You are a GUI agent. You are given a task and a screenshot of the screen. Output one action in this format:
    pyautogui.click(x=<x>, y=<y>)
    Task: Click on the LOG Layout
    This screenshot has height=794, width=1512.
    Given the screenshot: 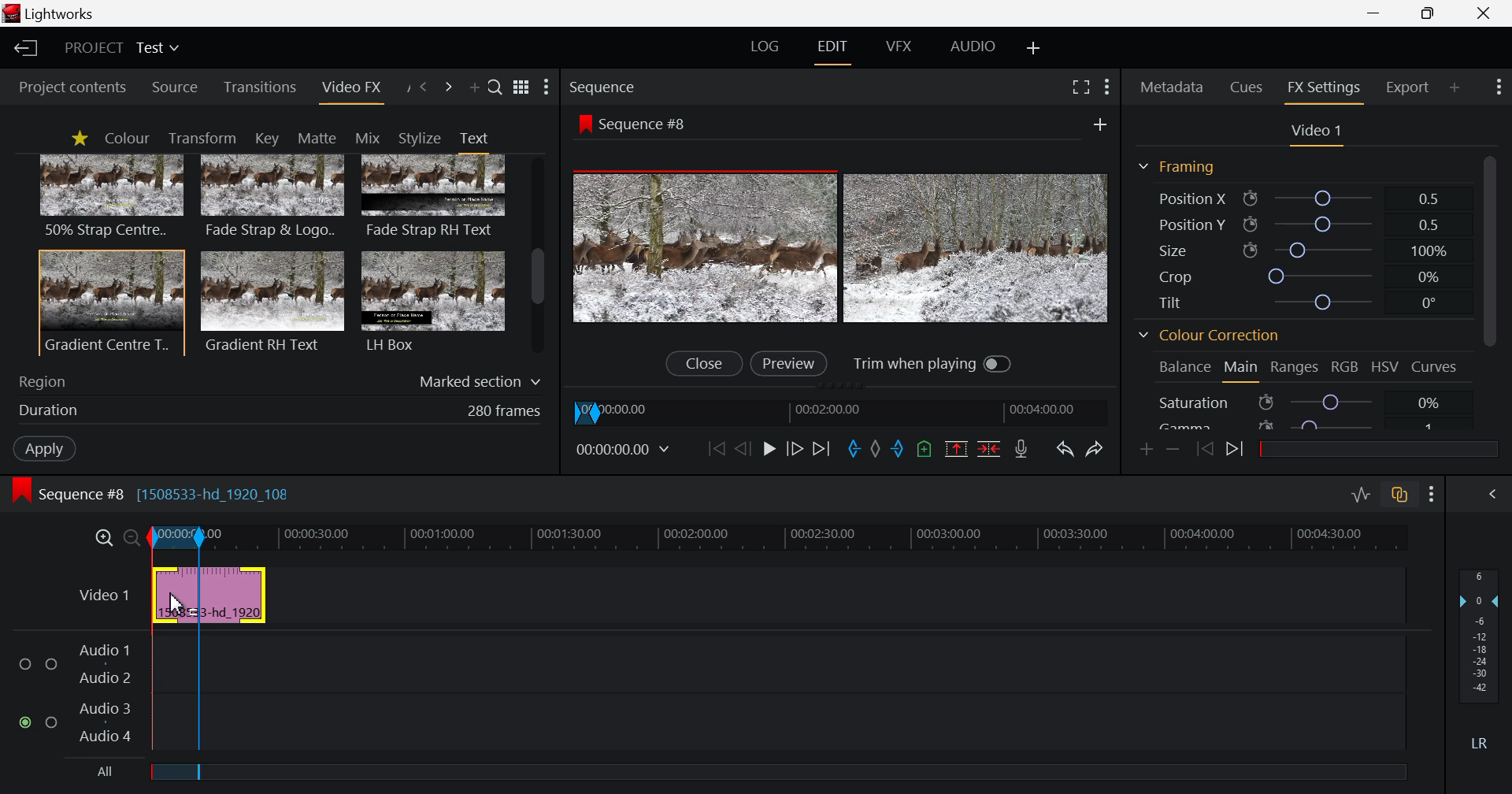 What is the action you would take?
    pyautogui.click(x=767, y=49)
    